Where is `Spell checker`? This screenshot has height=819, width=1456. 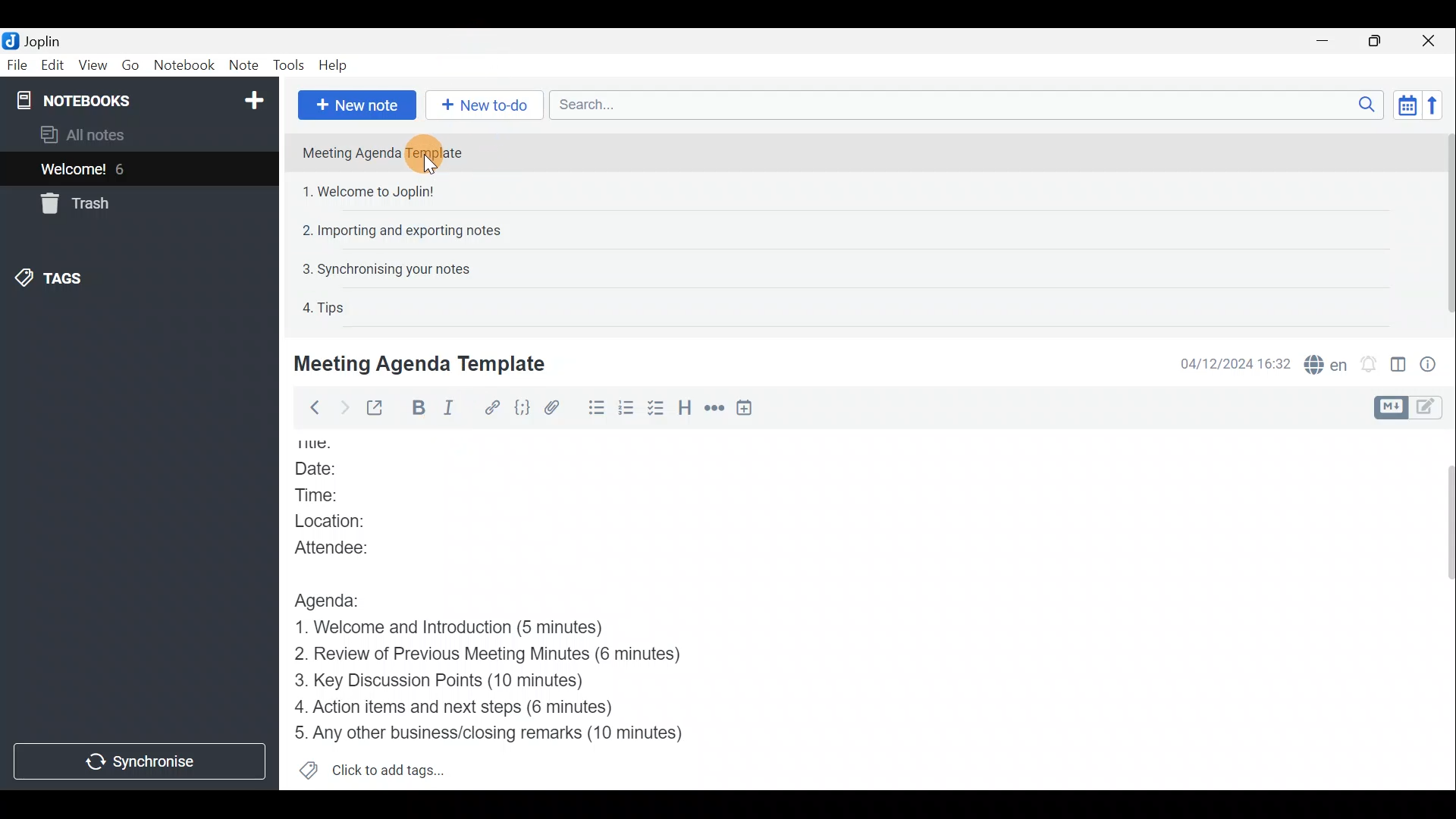
Spell checker is located at coordinates (1327, 362).